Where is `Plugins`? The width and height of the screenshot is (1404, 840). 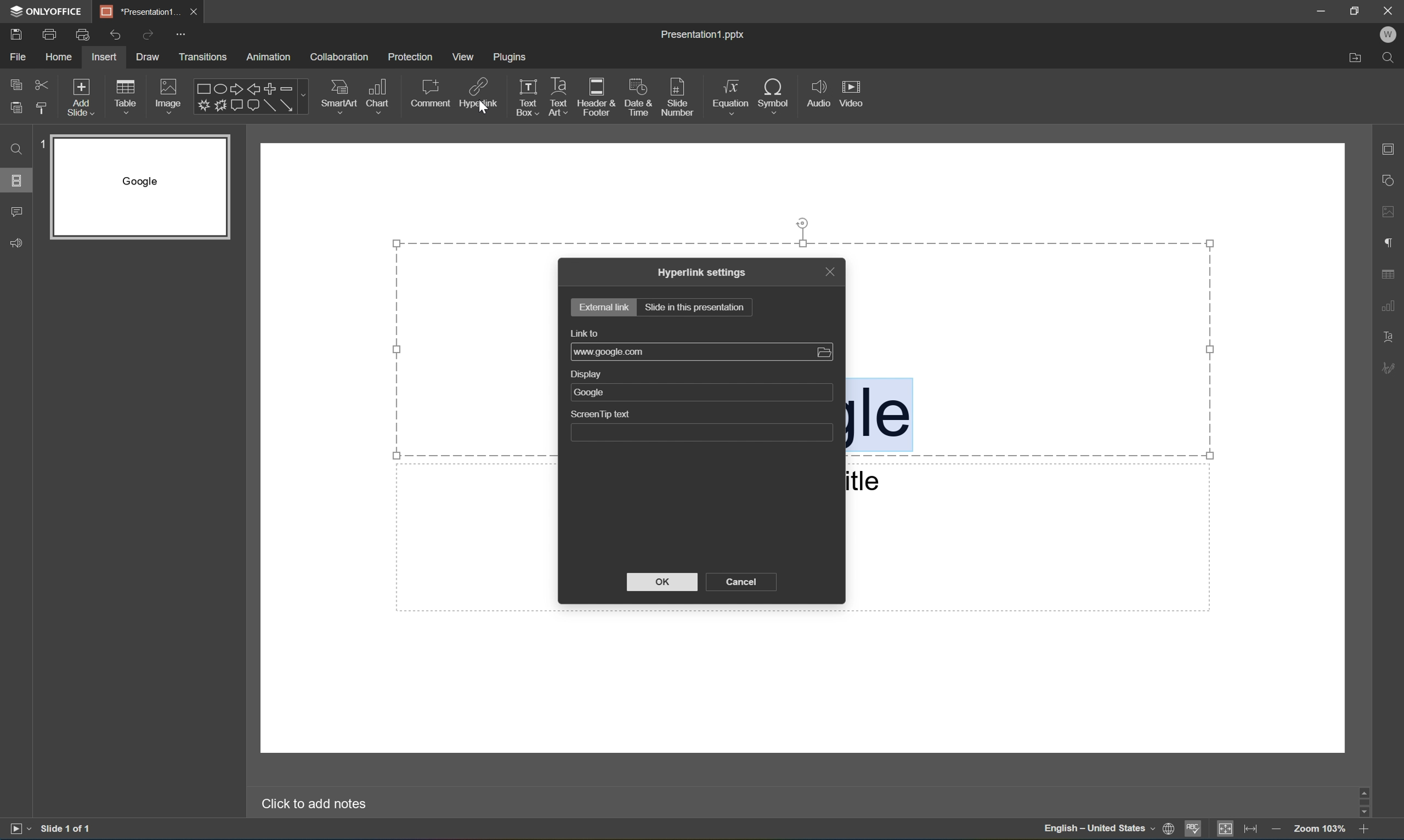
Plugins is located at coordinates (512, 58).